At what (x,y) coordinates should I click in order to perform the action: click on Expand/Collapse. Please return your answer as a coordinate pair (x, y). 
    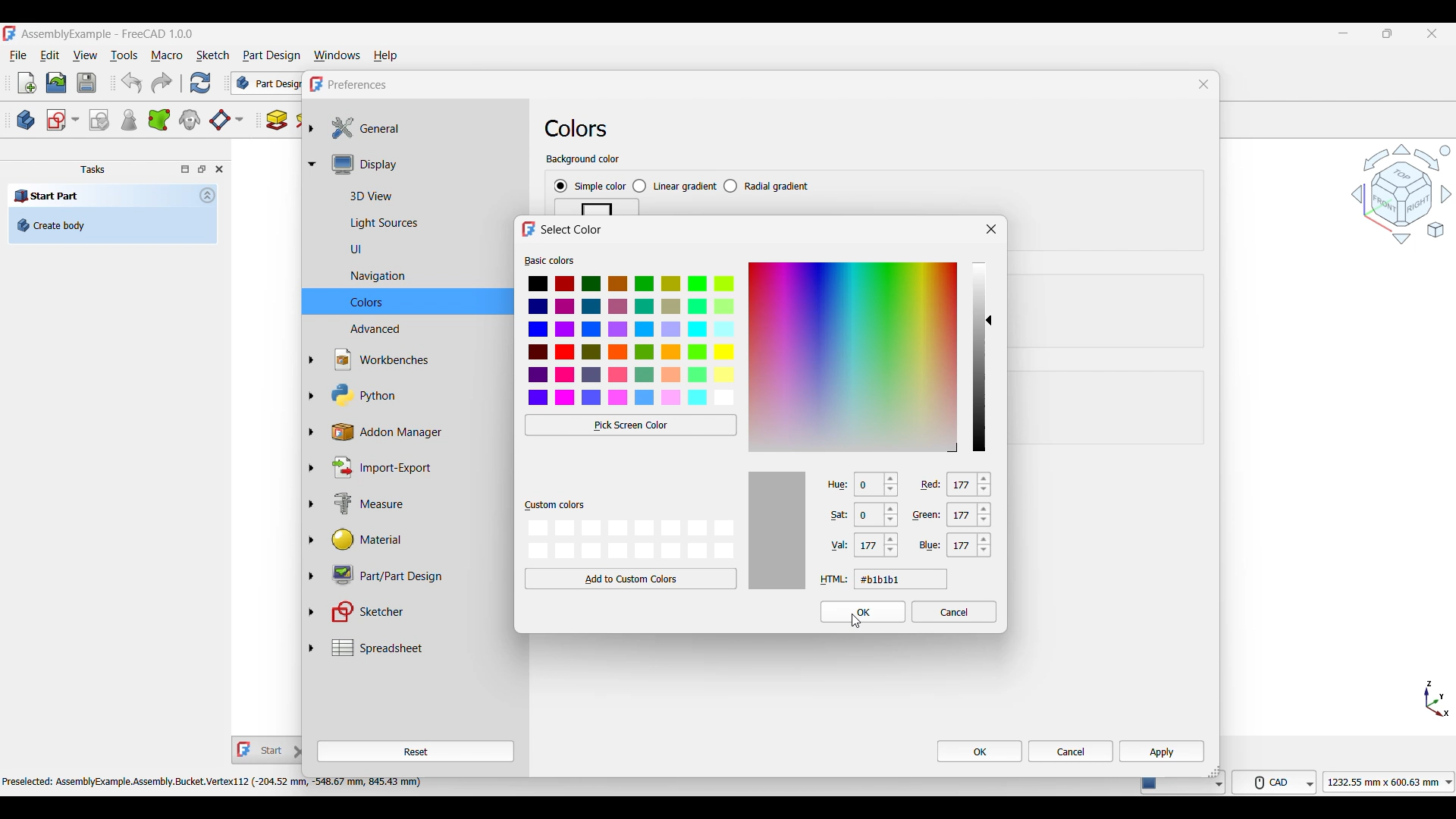
    Looking at the image, I should click on (312, 388).